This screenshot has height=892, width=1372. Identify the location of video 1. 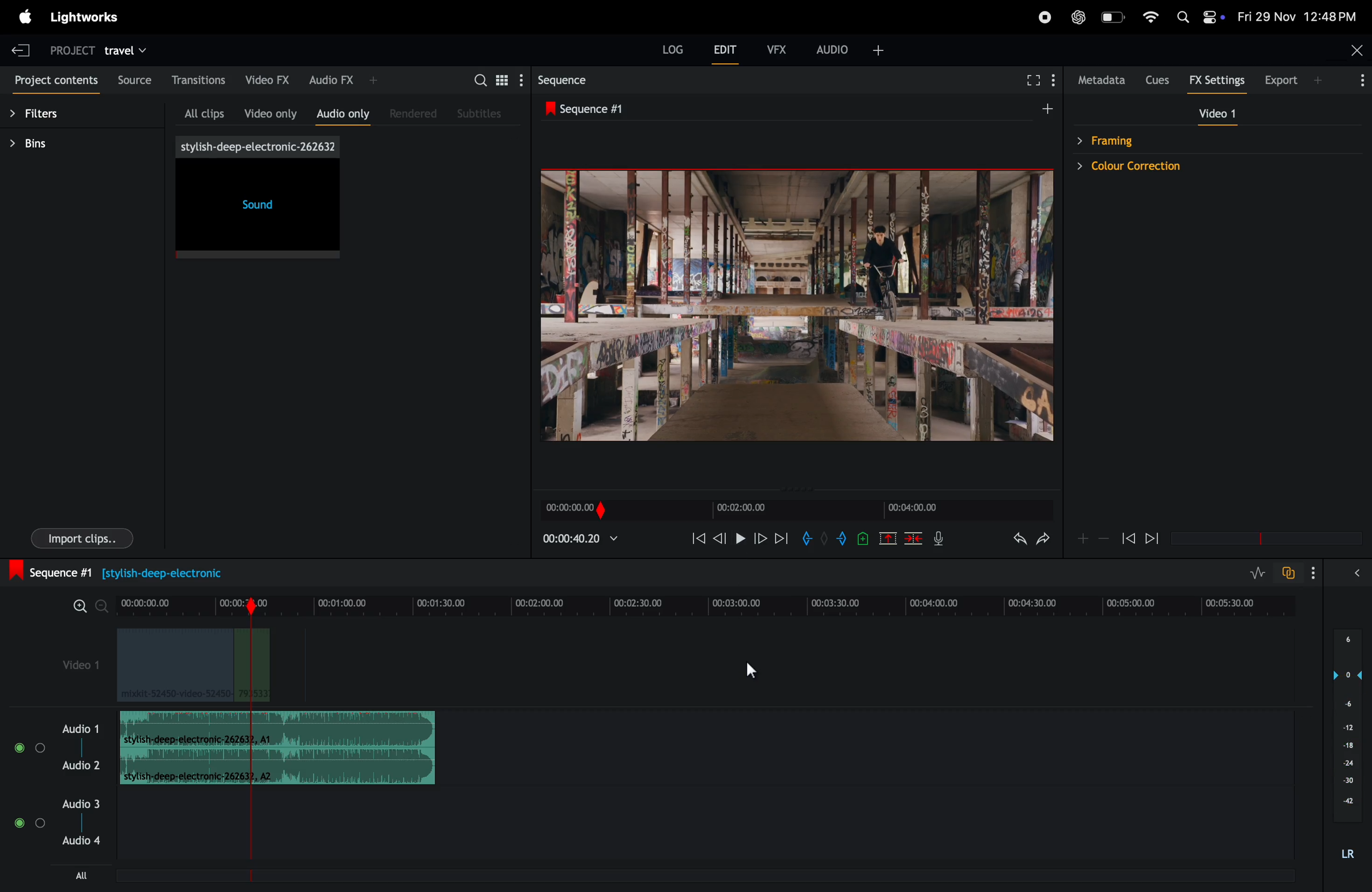
(78, 668).